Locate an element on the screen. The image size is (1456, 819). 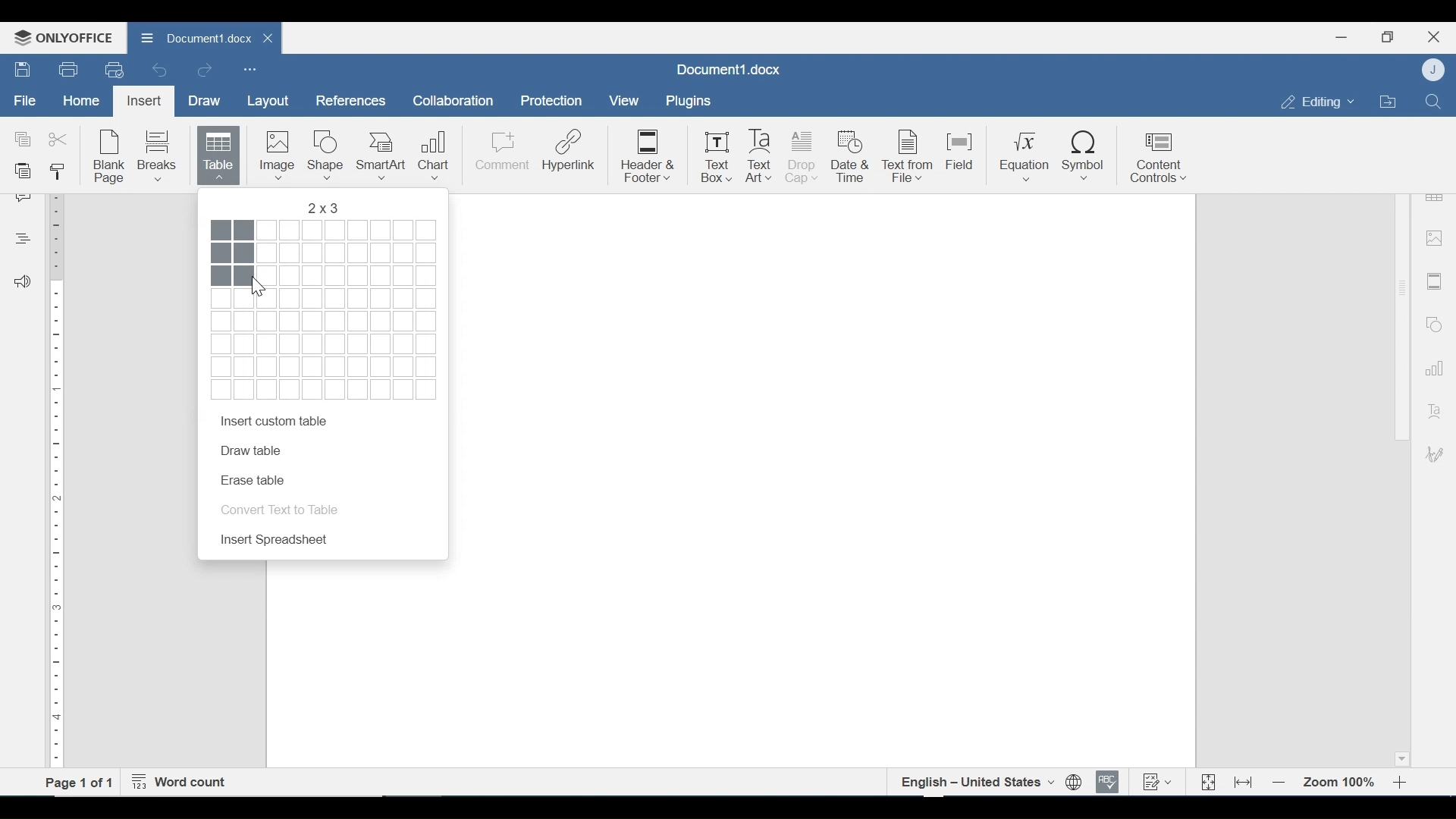
Document1.docx is located at coordinates (730, 70).